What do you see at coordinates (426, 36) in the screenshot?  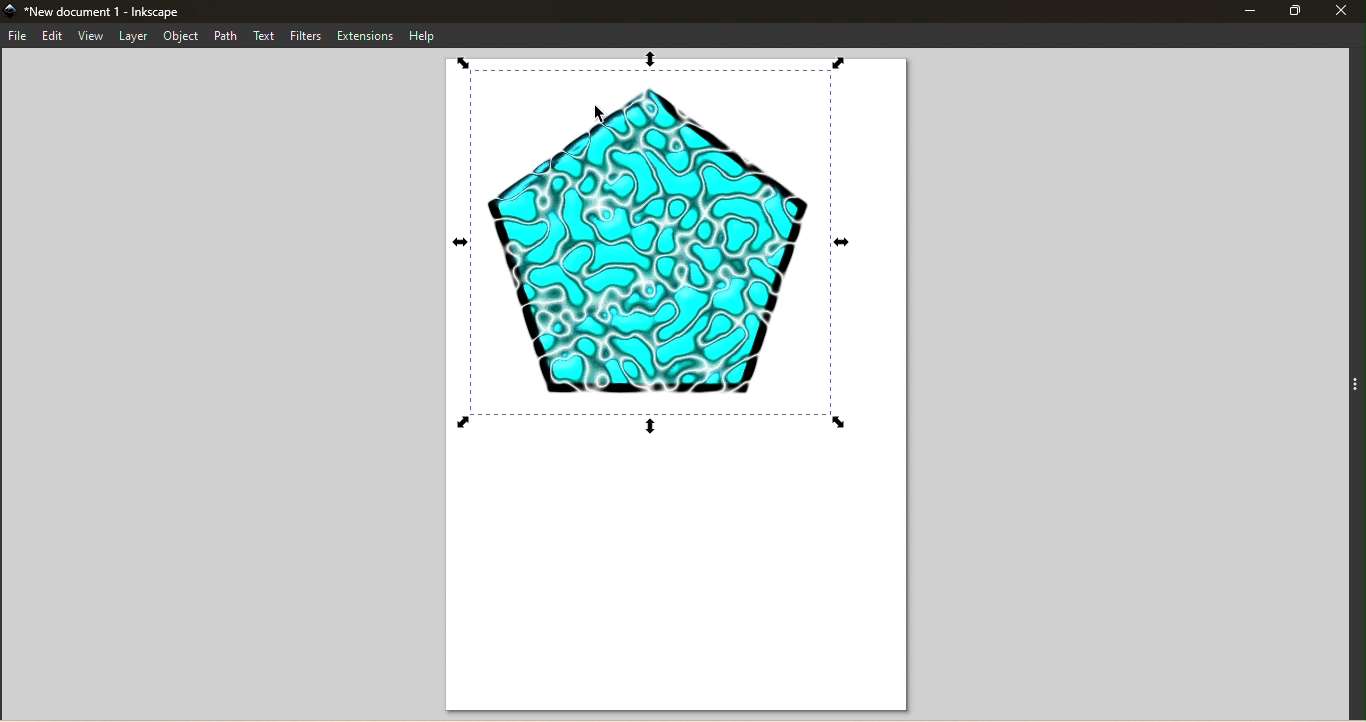 I see `Help` at bounding box center [426, 36].